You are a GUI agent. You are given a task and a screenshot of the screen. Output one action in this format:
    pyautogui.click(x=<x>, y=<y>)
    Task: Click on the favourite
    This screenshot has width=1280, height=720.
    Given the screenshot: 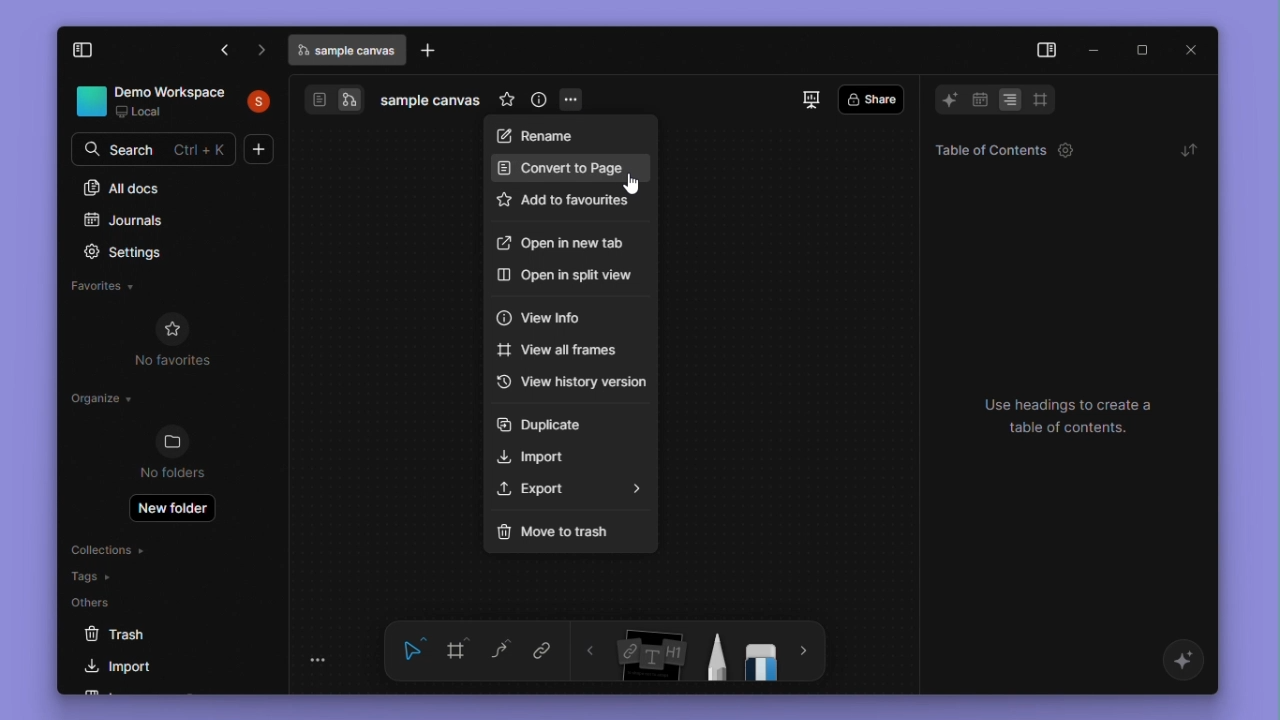 What is the action you would take?
    pyautogui.click(x=506, y=102)
    